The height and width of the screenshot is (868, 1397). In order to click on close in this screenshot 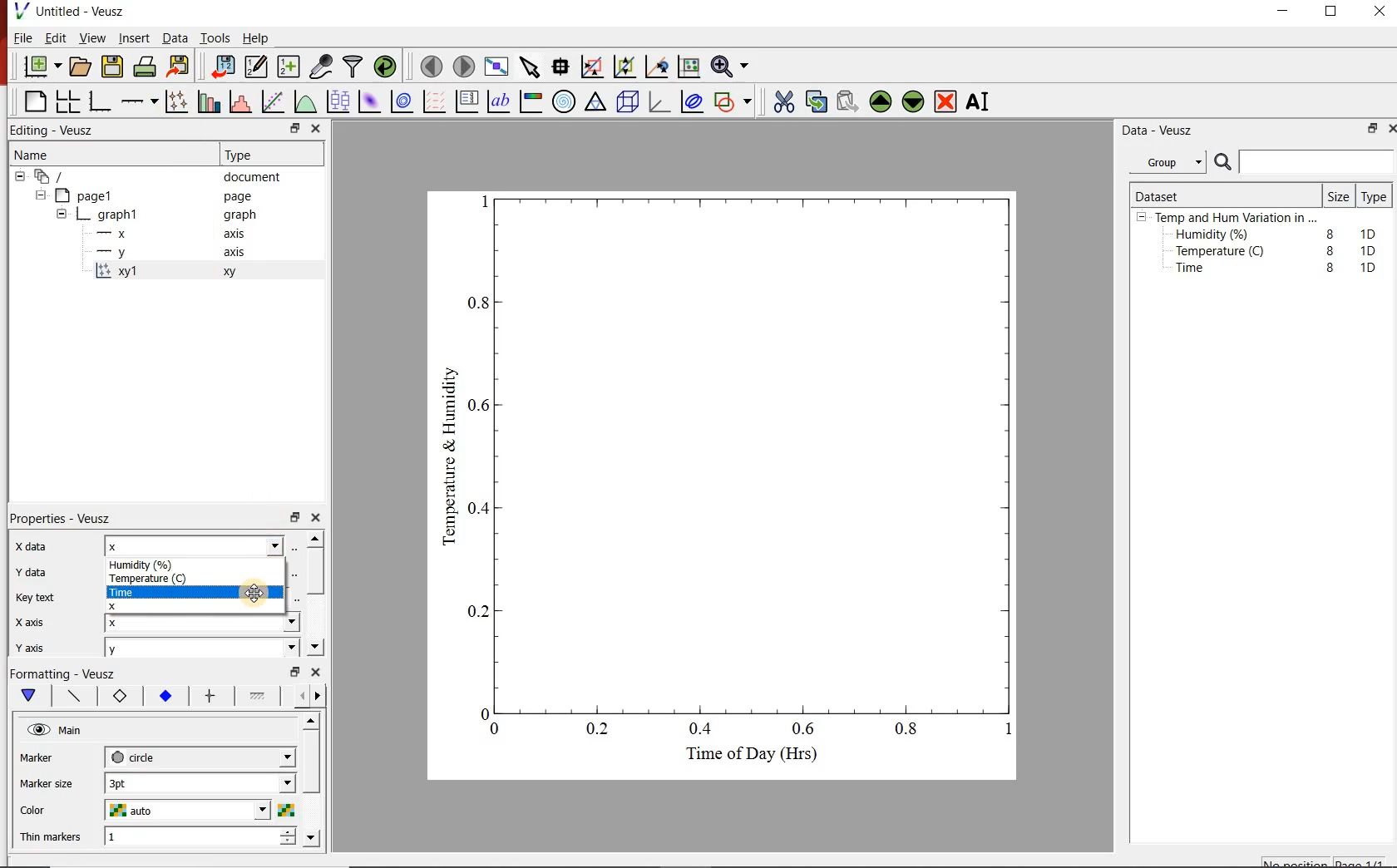, I will do `click(1380, 12)`.